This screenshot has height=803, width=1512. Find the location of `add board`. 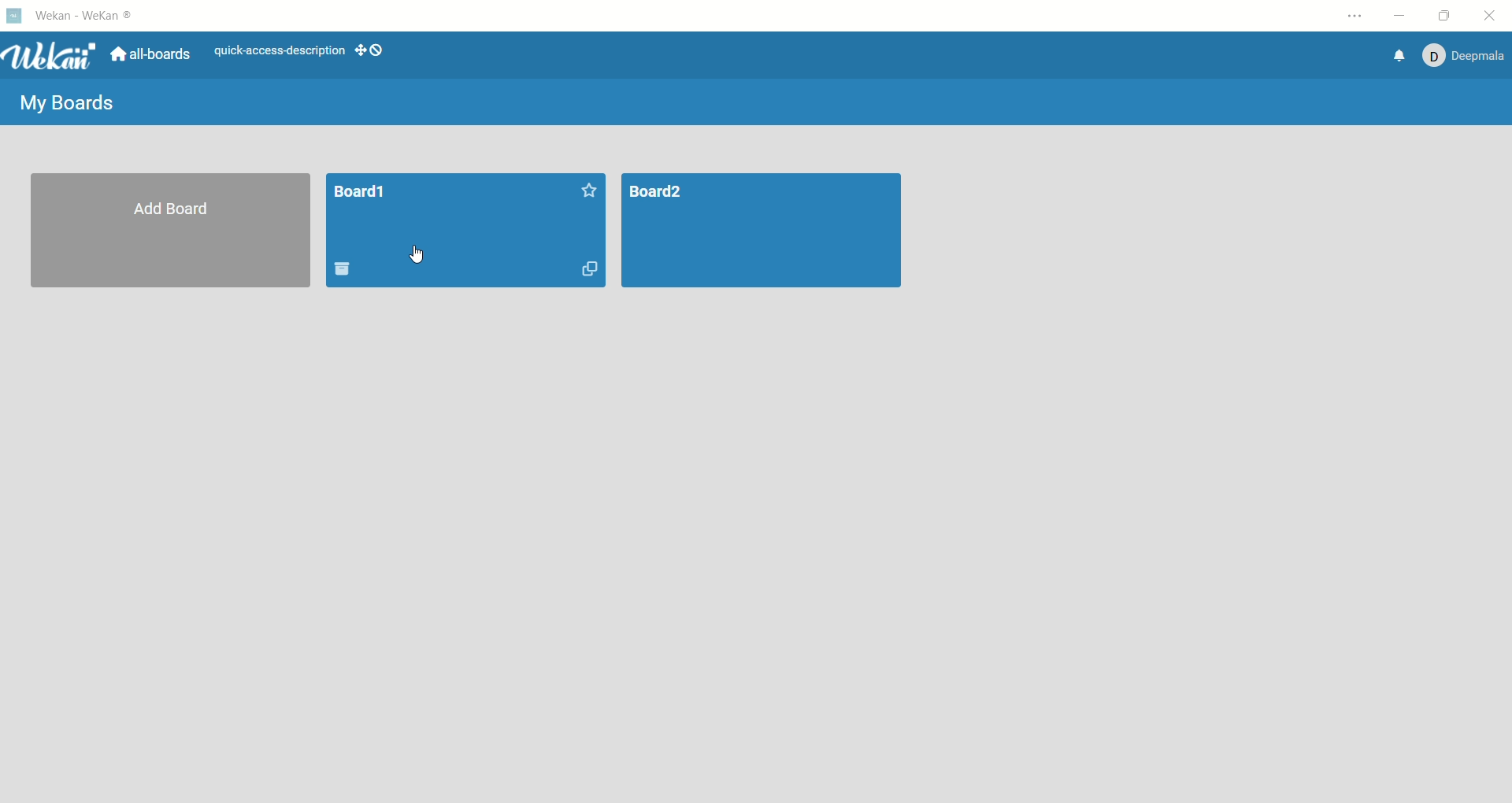

add board is located at coordinates (171, 231).